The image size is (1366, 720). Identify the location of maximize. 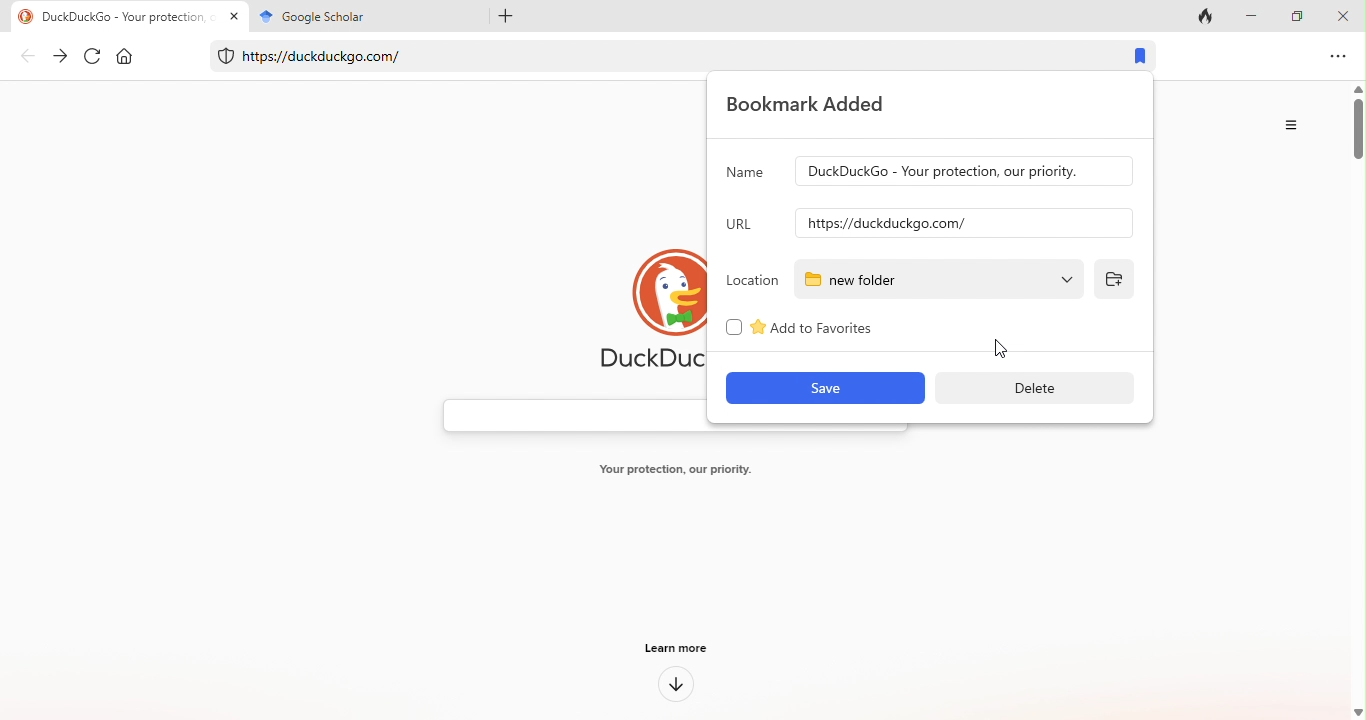
(1301, 15).